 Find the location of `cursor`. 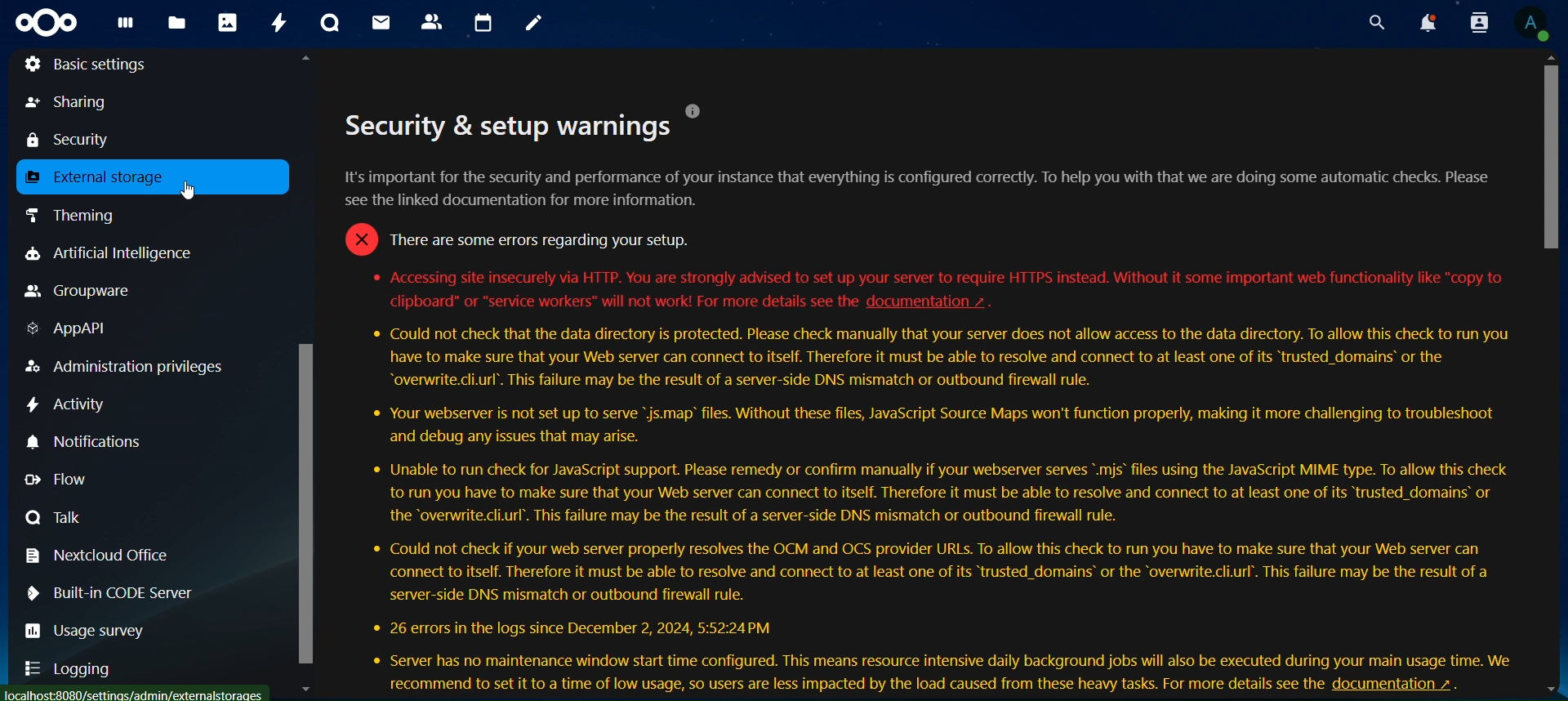

cursor is located at coordinates (1553, 156).